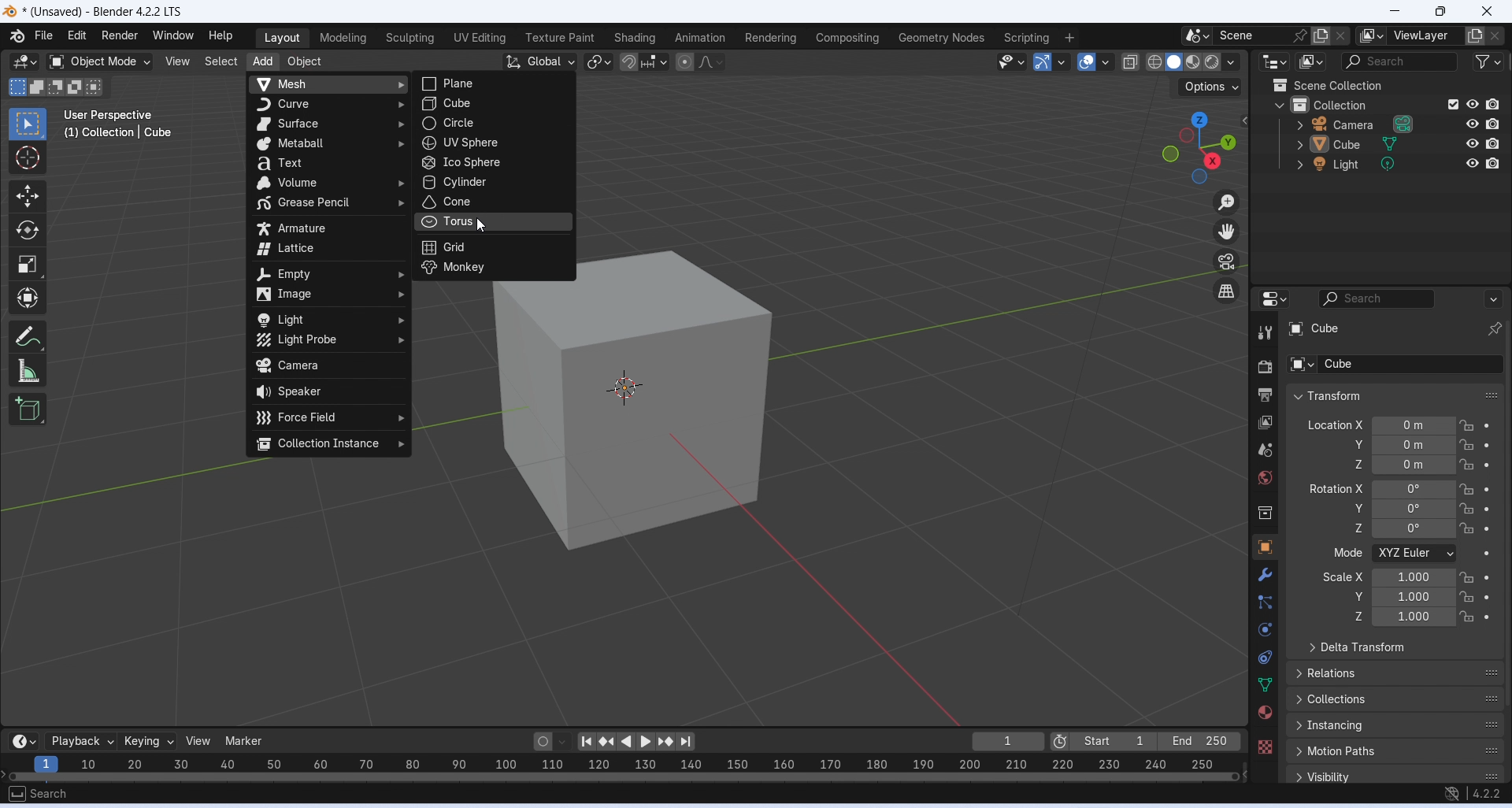  Describe the element at coordinates (696, 61) in the screenshot. I see `Proportional Editing ` at that location.